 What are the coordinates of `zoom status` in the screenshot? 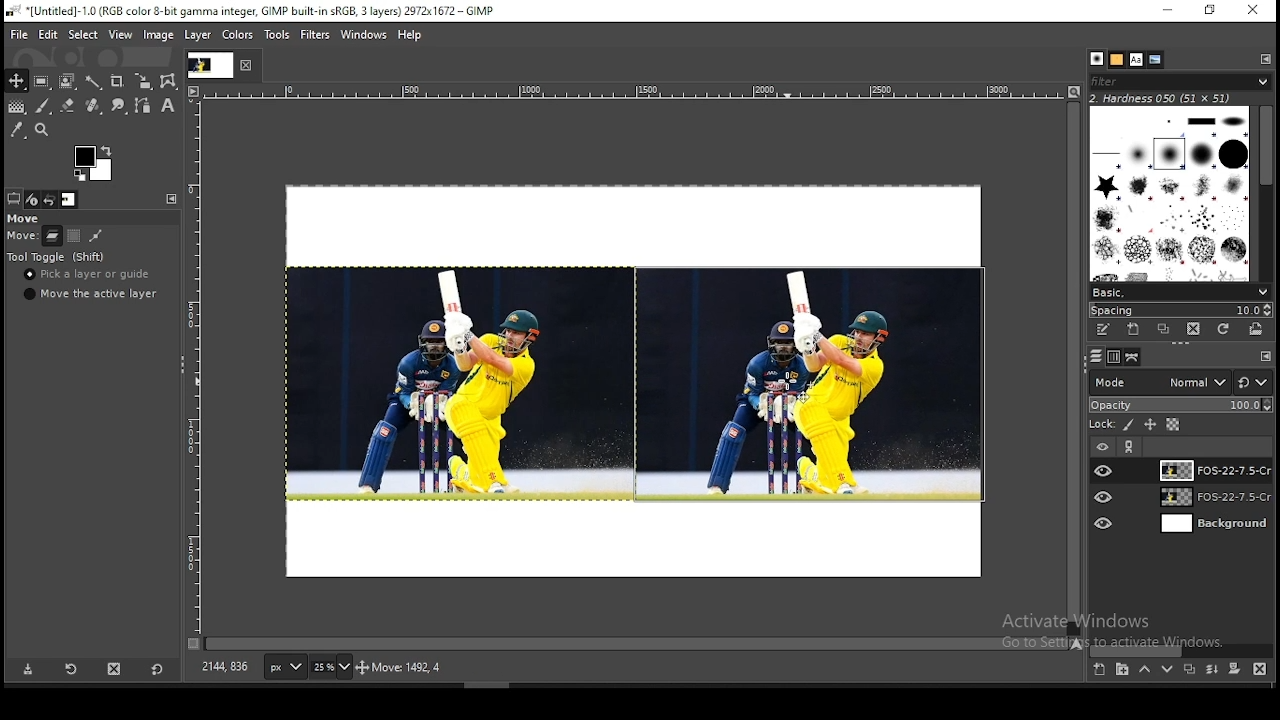 It's located at (331, 669).